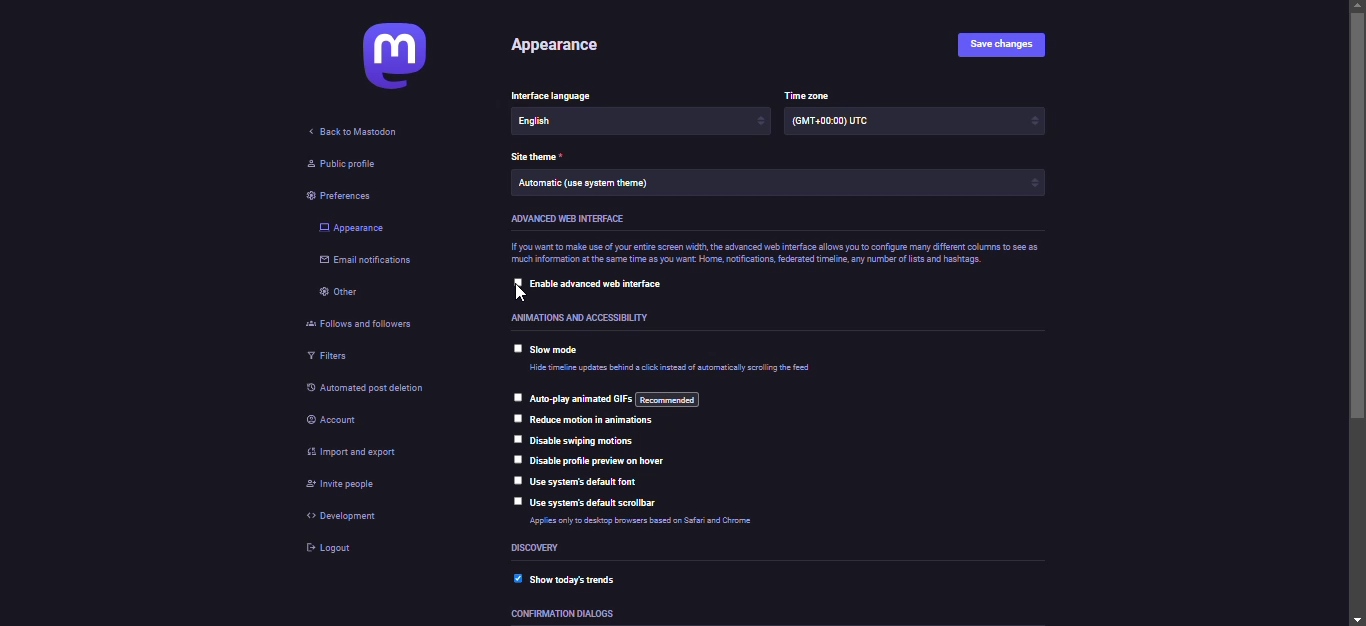 This screenshot has width=1366, height=626. What do you see at coordinates (645, 520) in the screenshot?
I see `Applies only to desktop browsers based on Safari and Chrome` at bounding box center [645, 520].